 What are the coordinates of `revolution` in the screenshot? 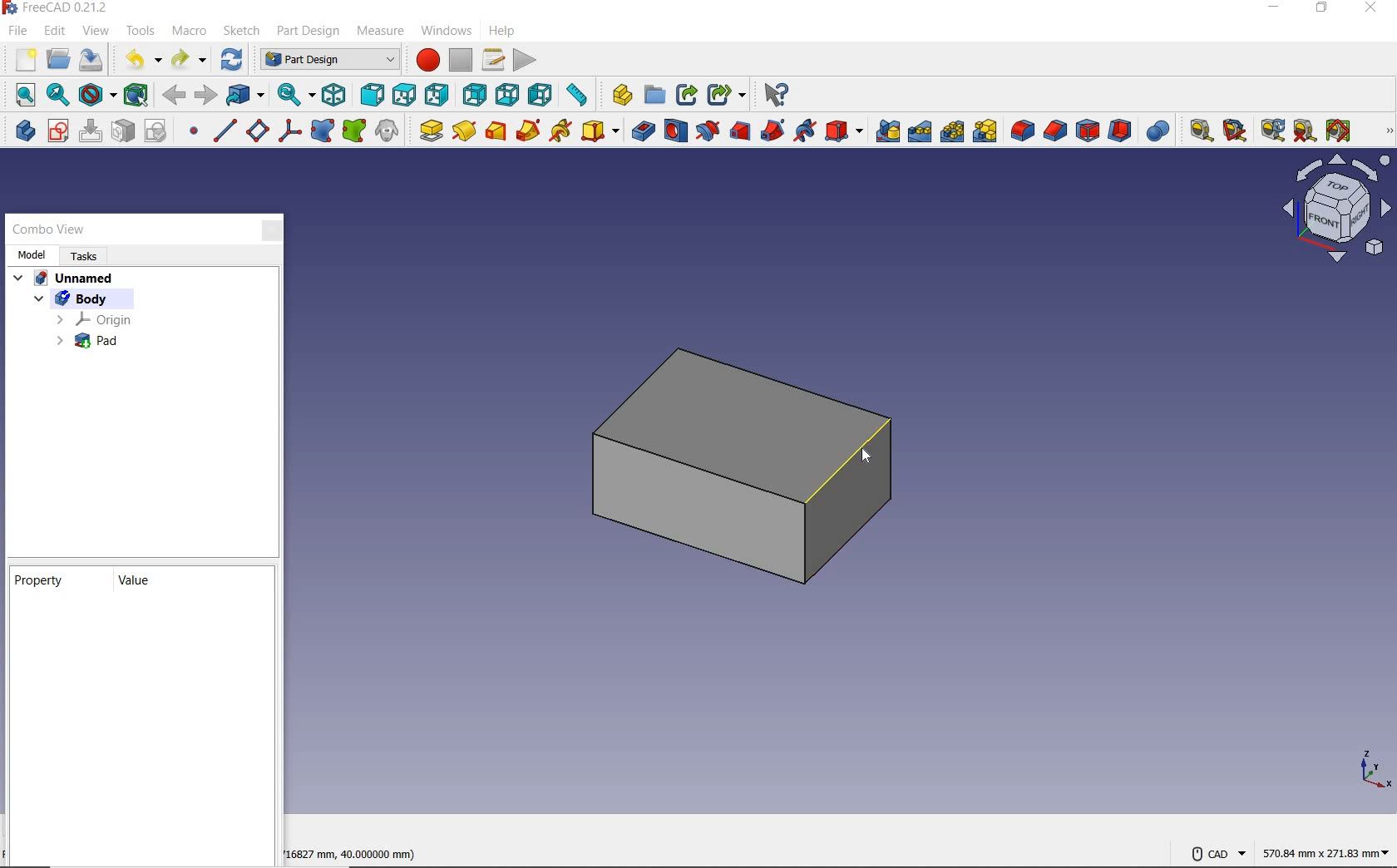 It's located at (465, 131).